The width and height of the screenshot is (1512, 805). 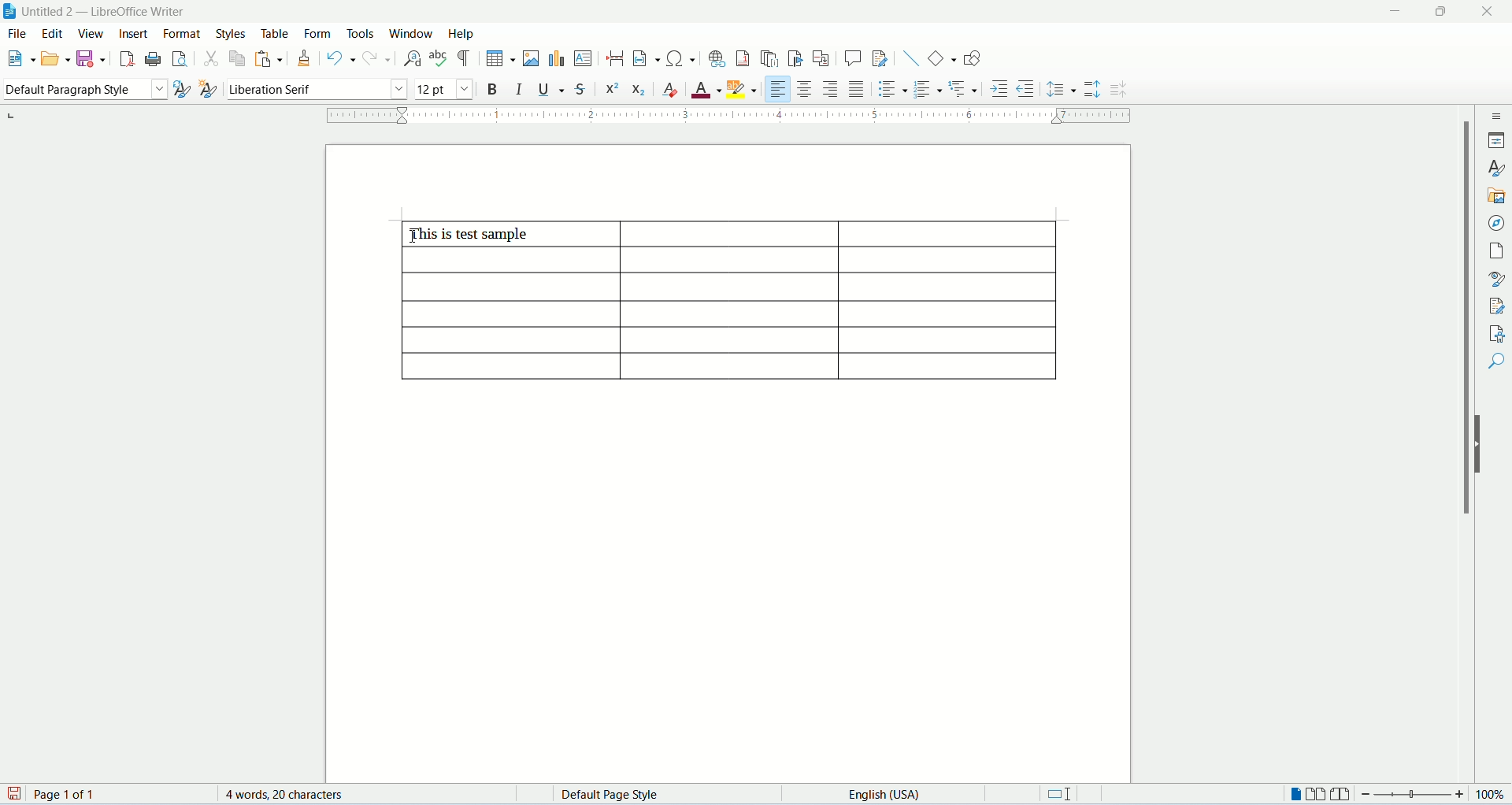 I want to click on export as pdf, so click(x=127, y=58).